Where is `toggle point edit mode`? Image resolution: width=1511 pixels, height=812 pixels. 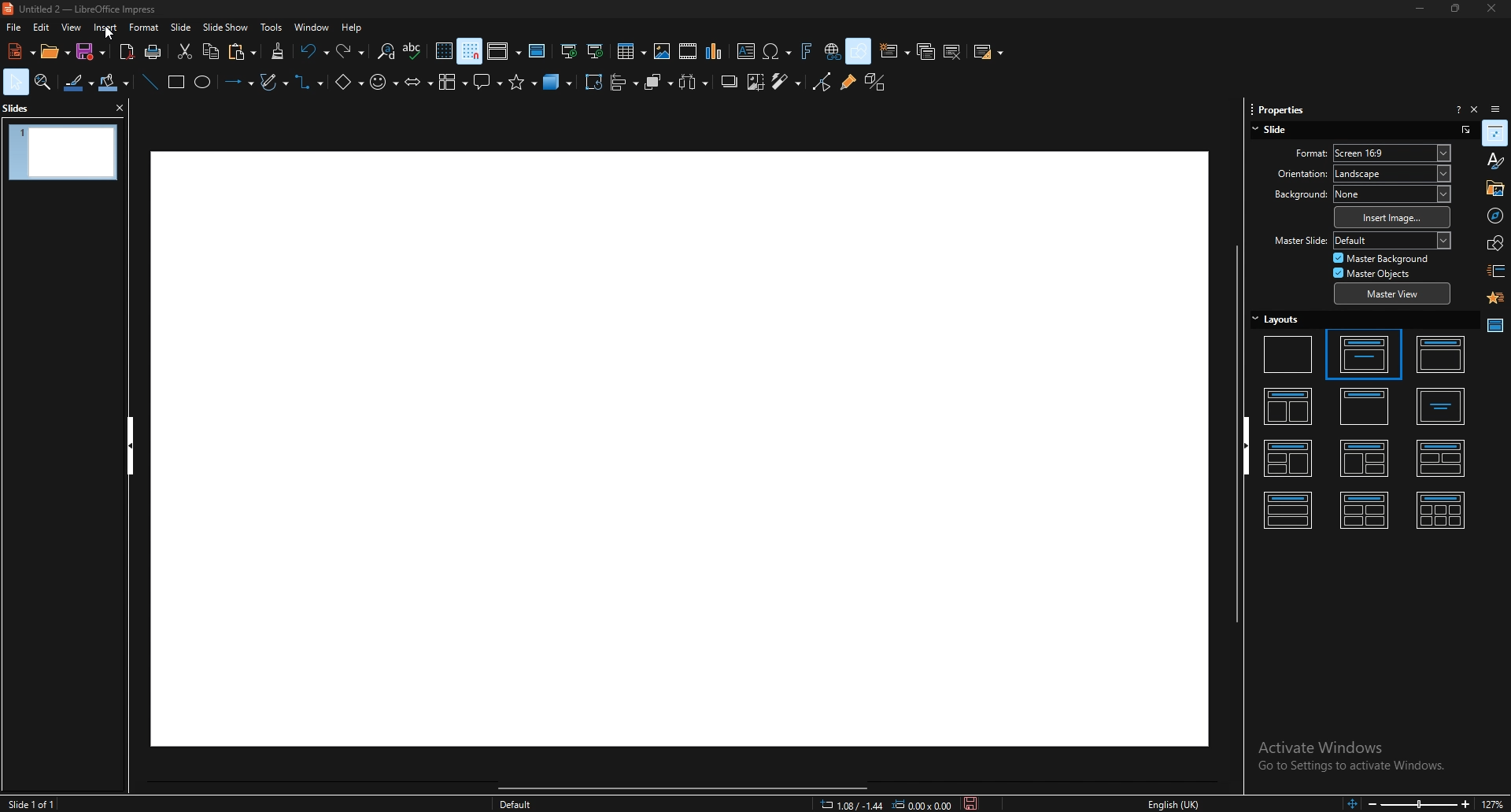
toggle point edit mode is located at coordinates (821, 83).